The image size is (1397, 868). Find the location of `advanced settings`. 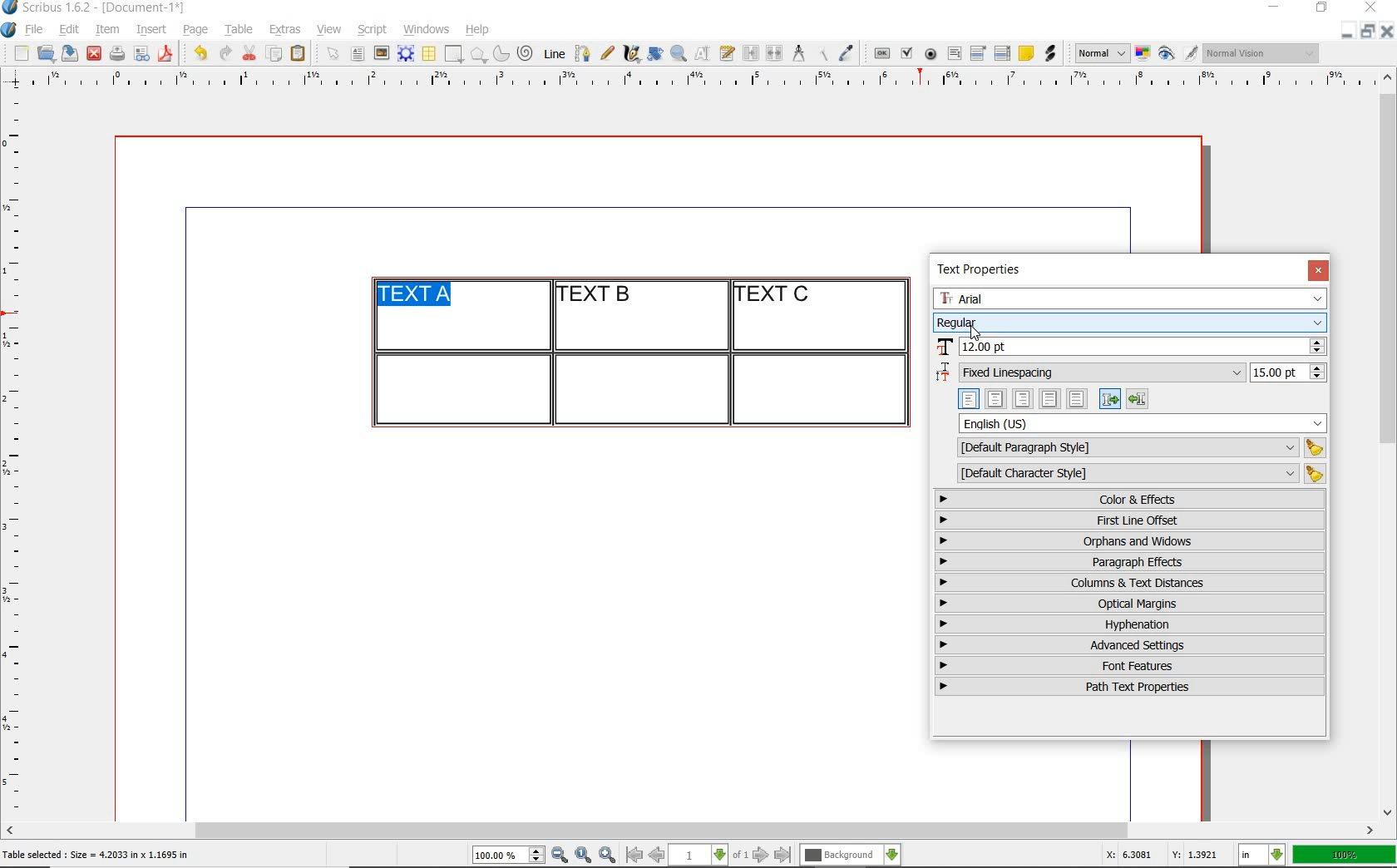

advanced settings is located at coordinates (1128, 644).